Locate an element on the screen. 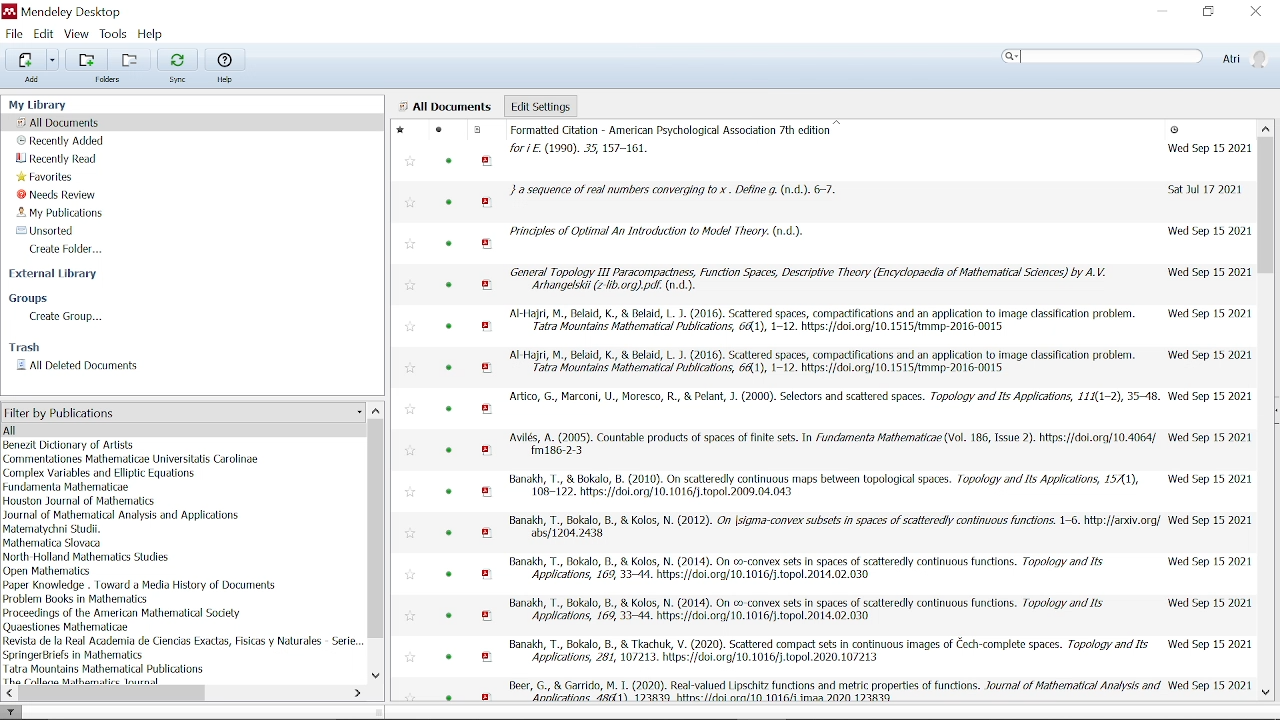  status is located at coordinates (449, 328).